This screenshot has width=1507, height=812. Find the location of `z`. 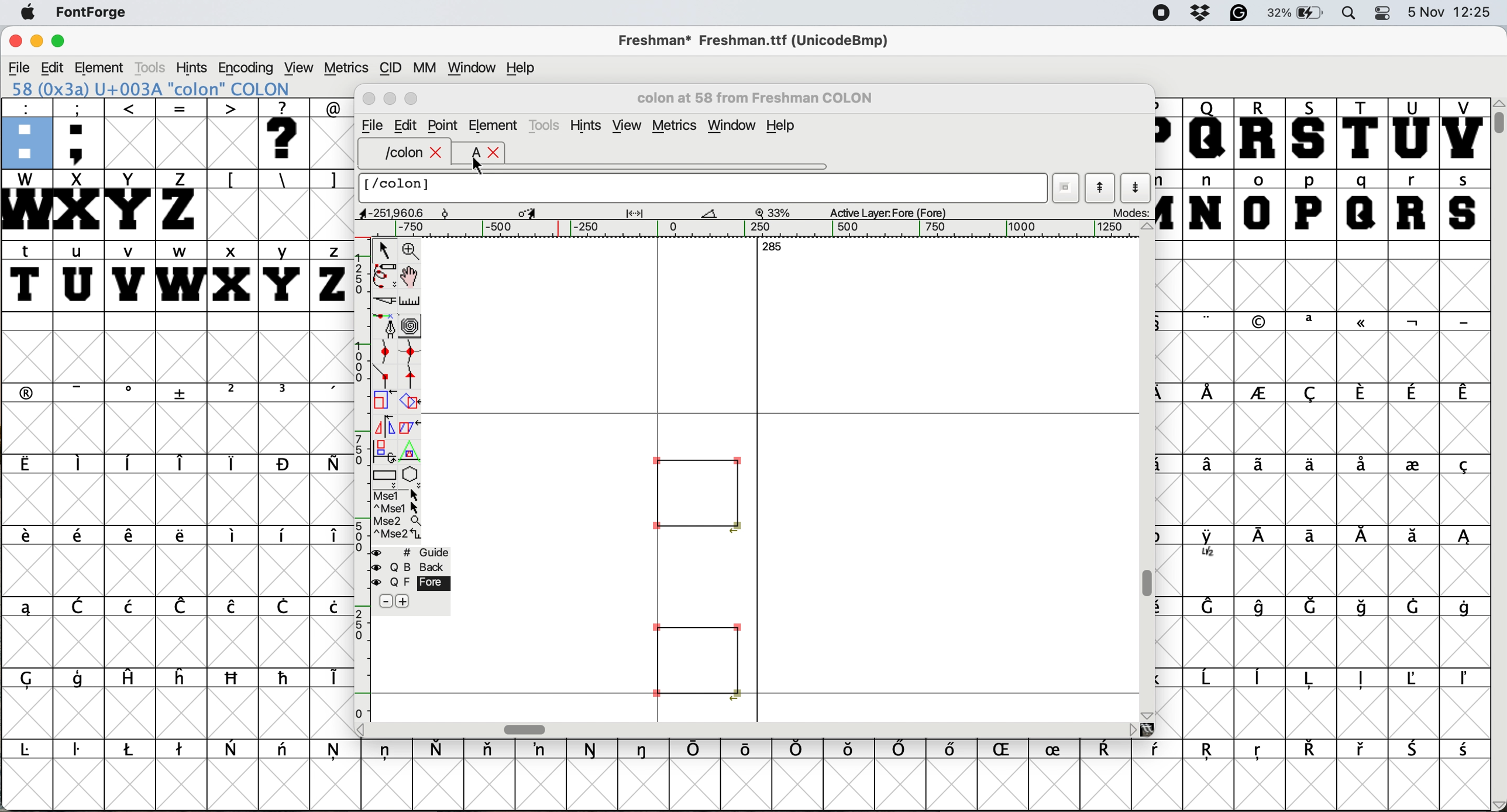

z is located at coordinates (329, 276).